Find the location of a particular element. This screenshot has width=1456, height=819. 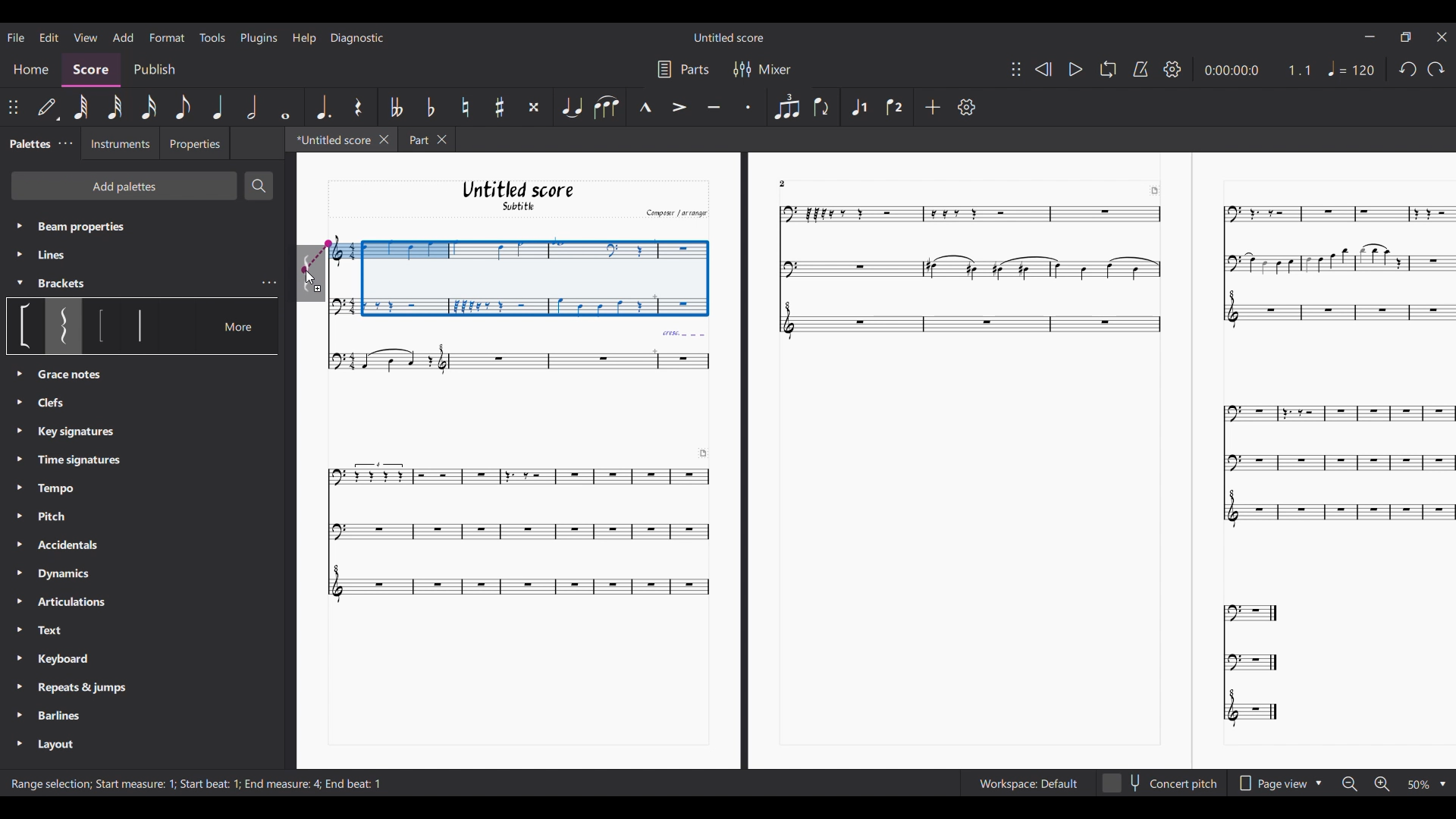

Toggle double flat is located at coordinates (397, 106).